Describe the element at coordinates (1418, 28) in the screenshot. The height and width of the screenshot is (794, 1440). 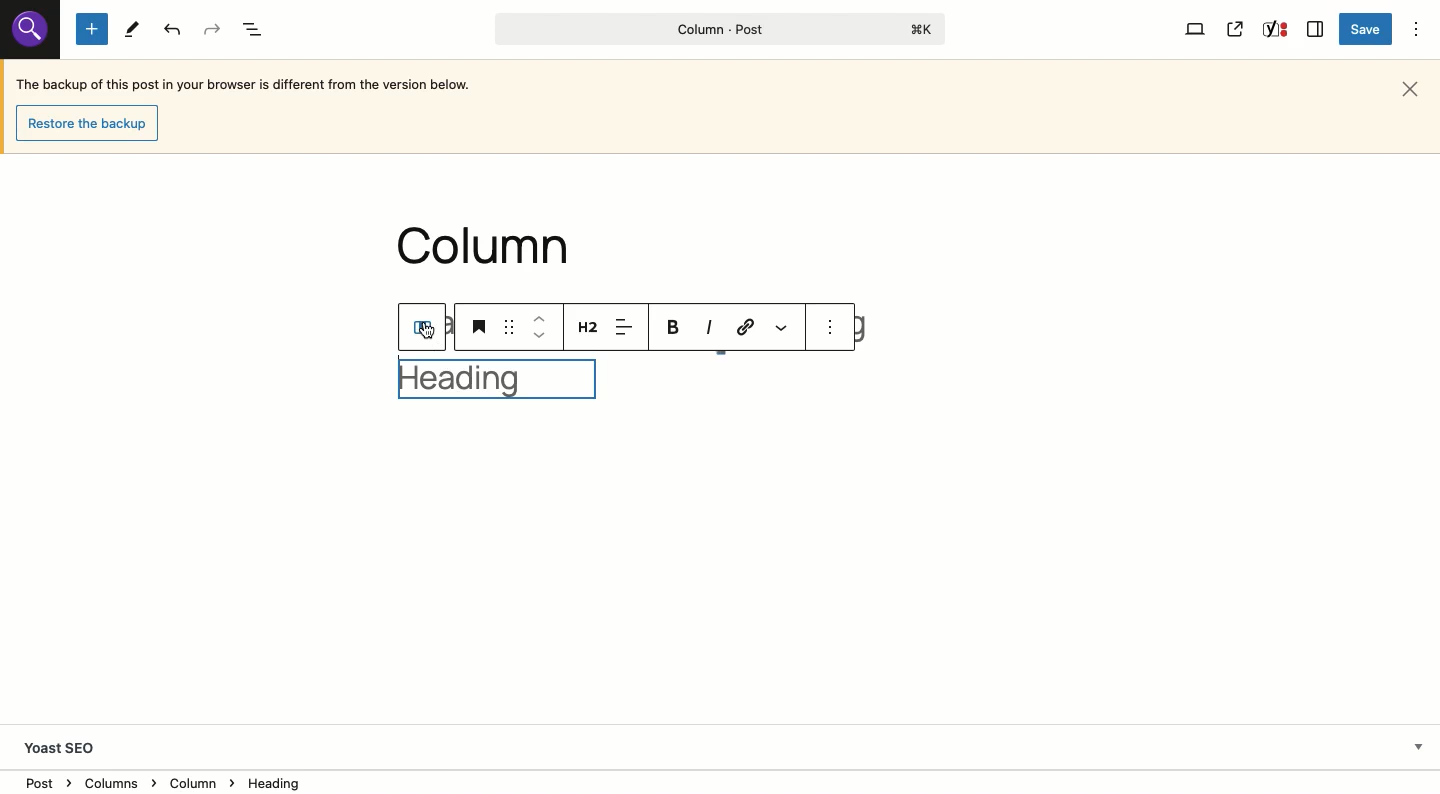
I see `Options` at that location.